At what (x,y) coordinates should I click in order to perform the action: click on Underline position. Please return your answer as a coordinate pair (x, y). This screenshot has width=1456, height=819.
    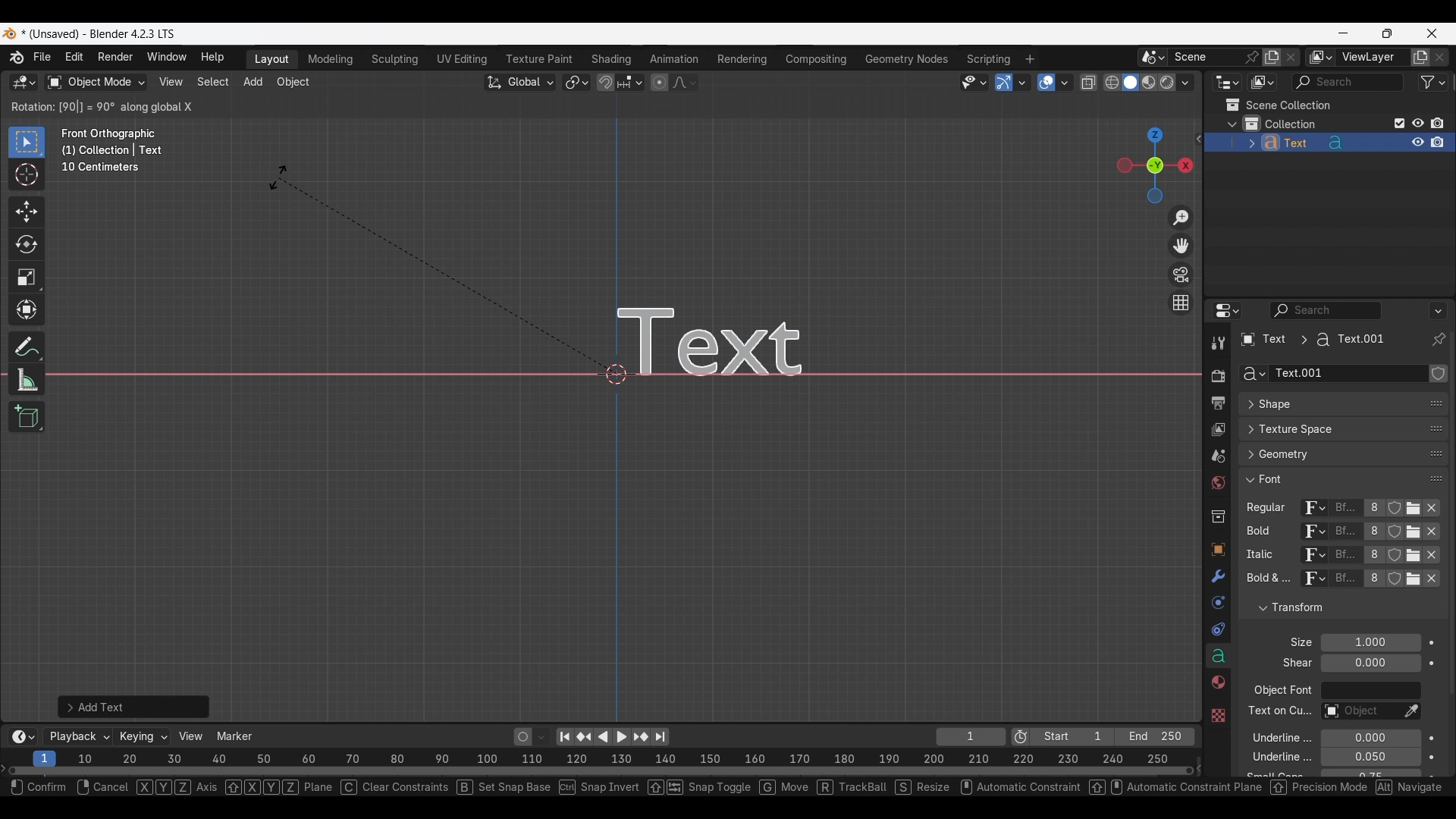
    Looking at the image, I should click on (1372, 739).